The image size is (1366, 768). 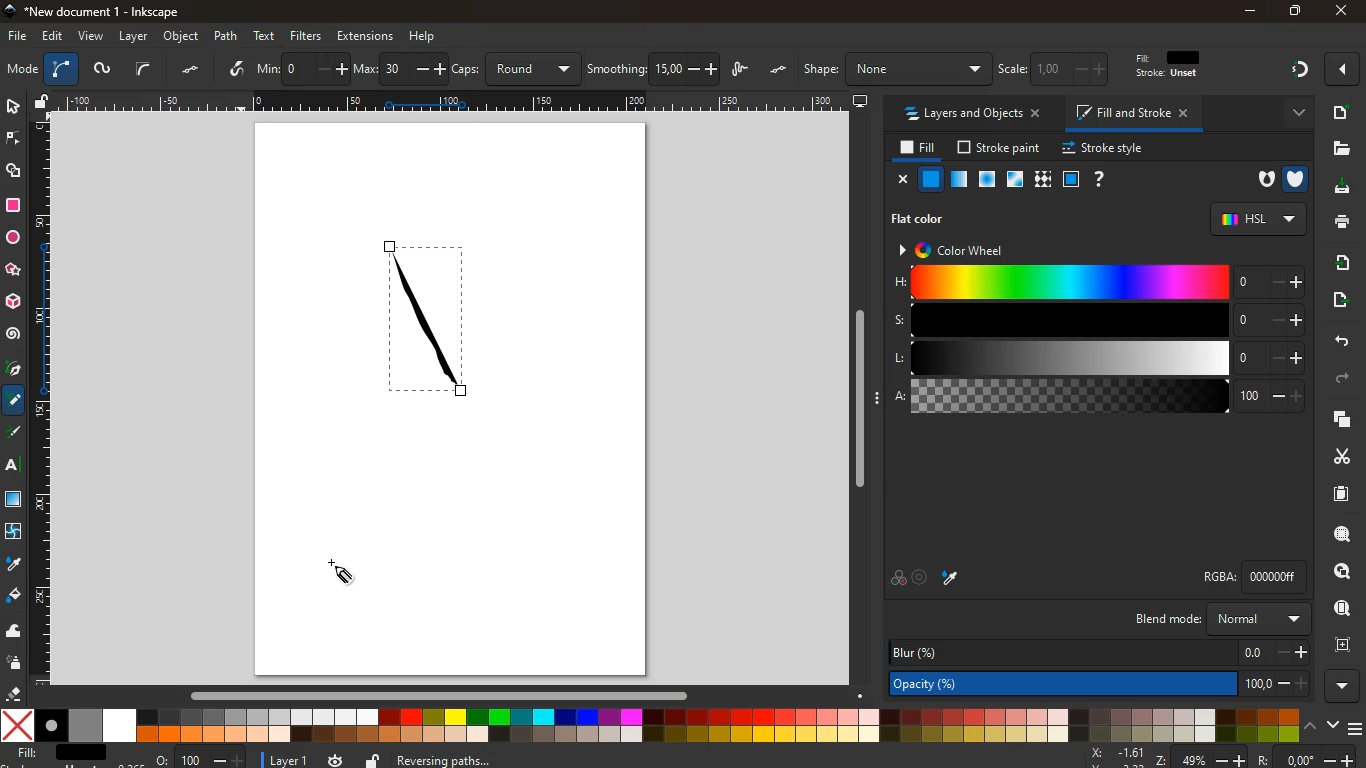 I want to click on file, so click(x=18, y=37).